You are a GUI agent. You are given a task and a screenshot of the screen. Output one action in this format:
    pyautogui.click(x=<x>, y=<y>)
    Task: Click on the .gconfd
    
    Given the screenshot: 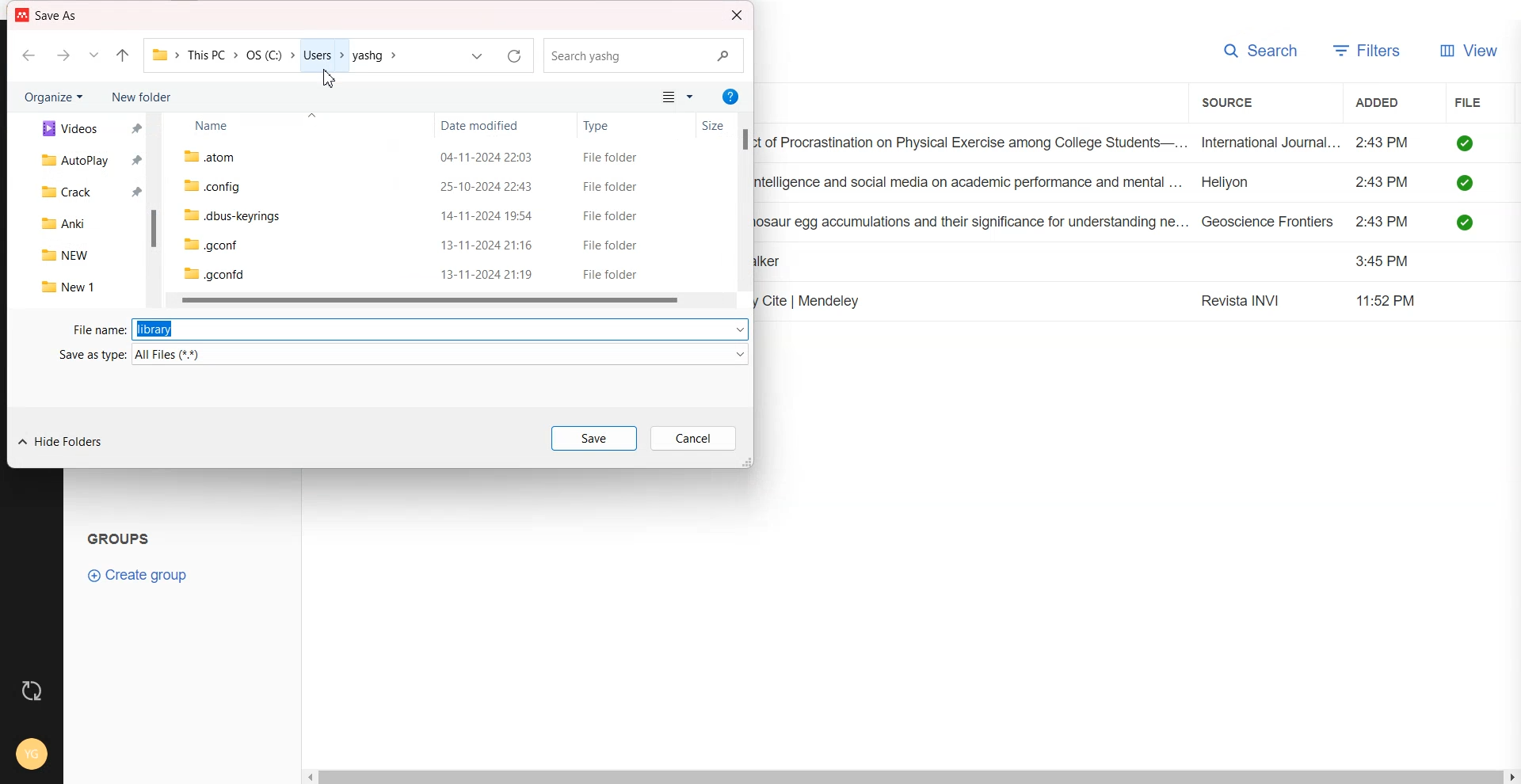 What is the action you would take?
    pyautogui.click(x=214, y=274)
    